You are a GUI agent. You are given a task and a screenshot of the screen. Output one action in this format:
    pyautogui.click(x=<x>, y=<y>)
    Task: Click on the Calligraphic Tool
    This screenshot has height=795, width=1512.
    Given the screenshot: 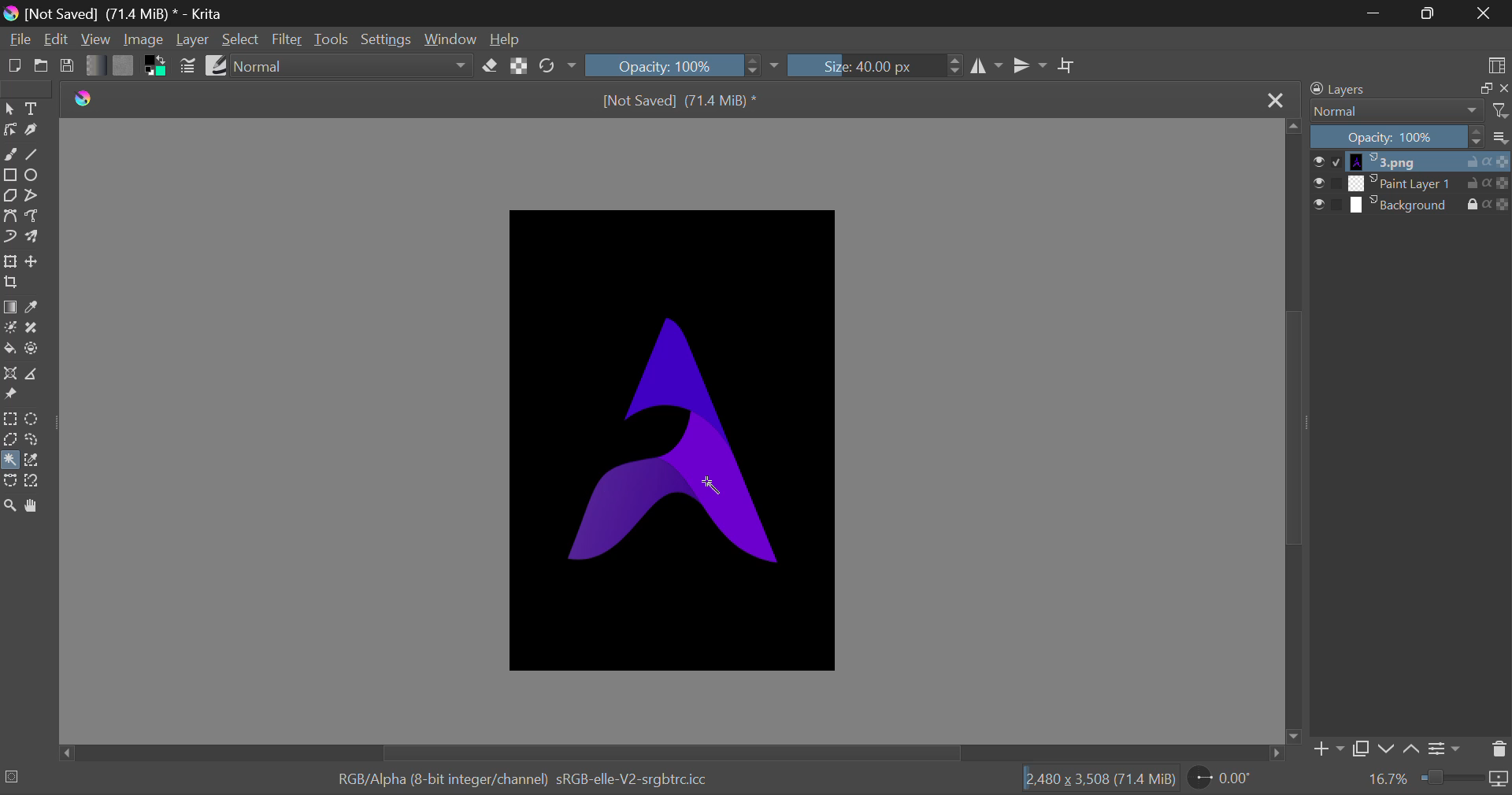 What is the action you would take?
    pyautogui.click(x=35, y=134)
    